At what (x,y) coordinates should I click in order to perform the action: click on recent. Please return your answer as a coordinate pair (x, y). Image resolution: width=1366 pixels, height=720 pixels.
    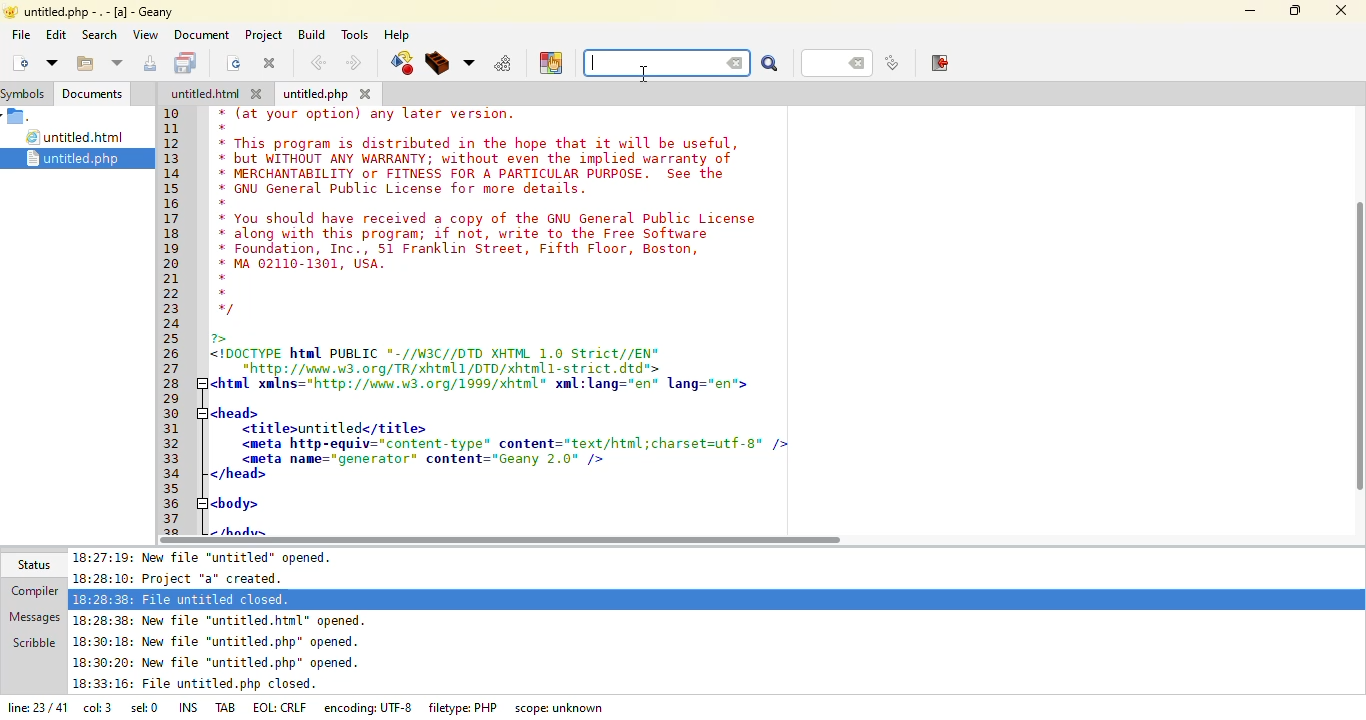
    Looking at the image, I should click on (118, 64).